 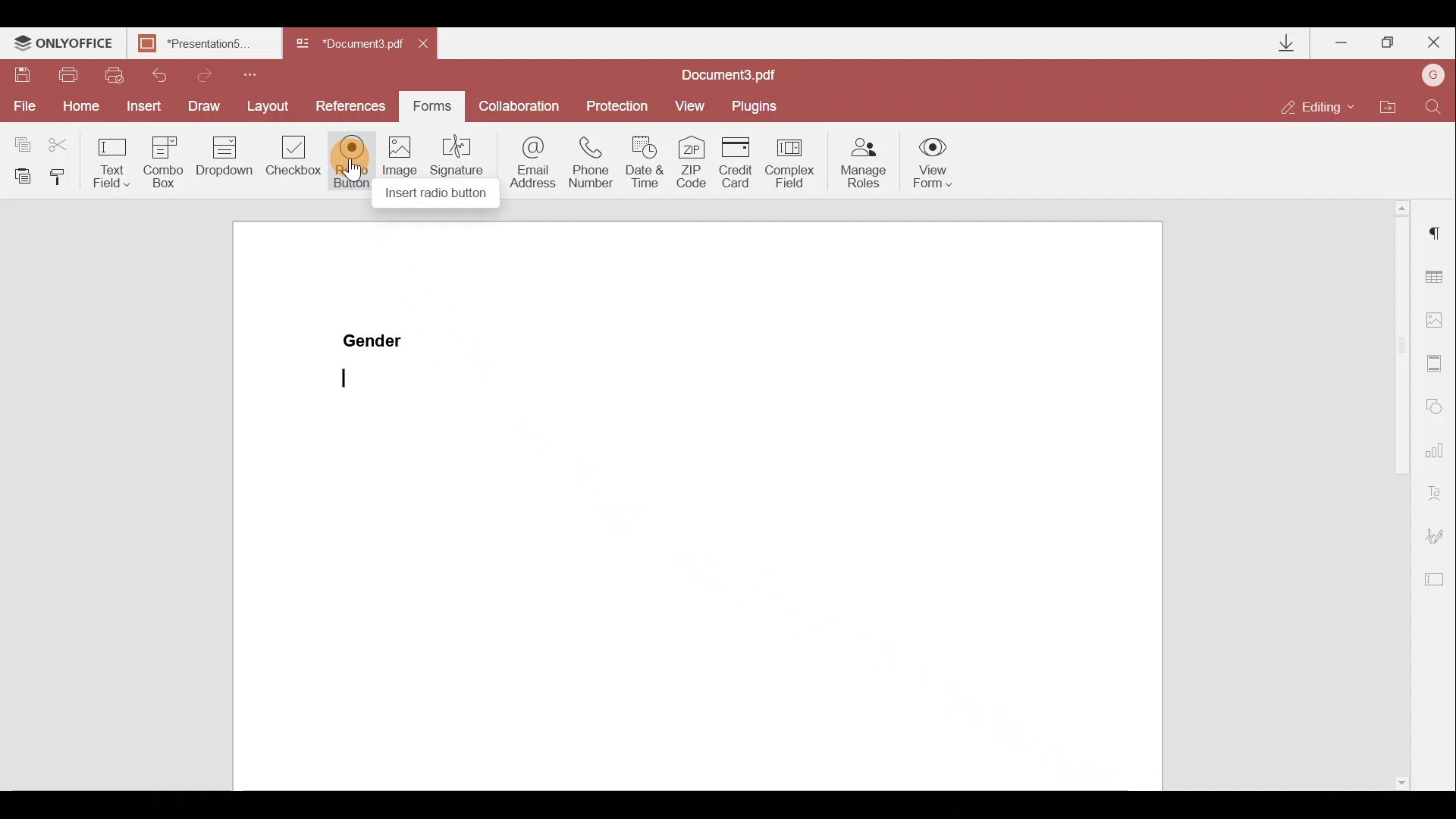 I want to click on ZIP code, so click(x=692, y=162).